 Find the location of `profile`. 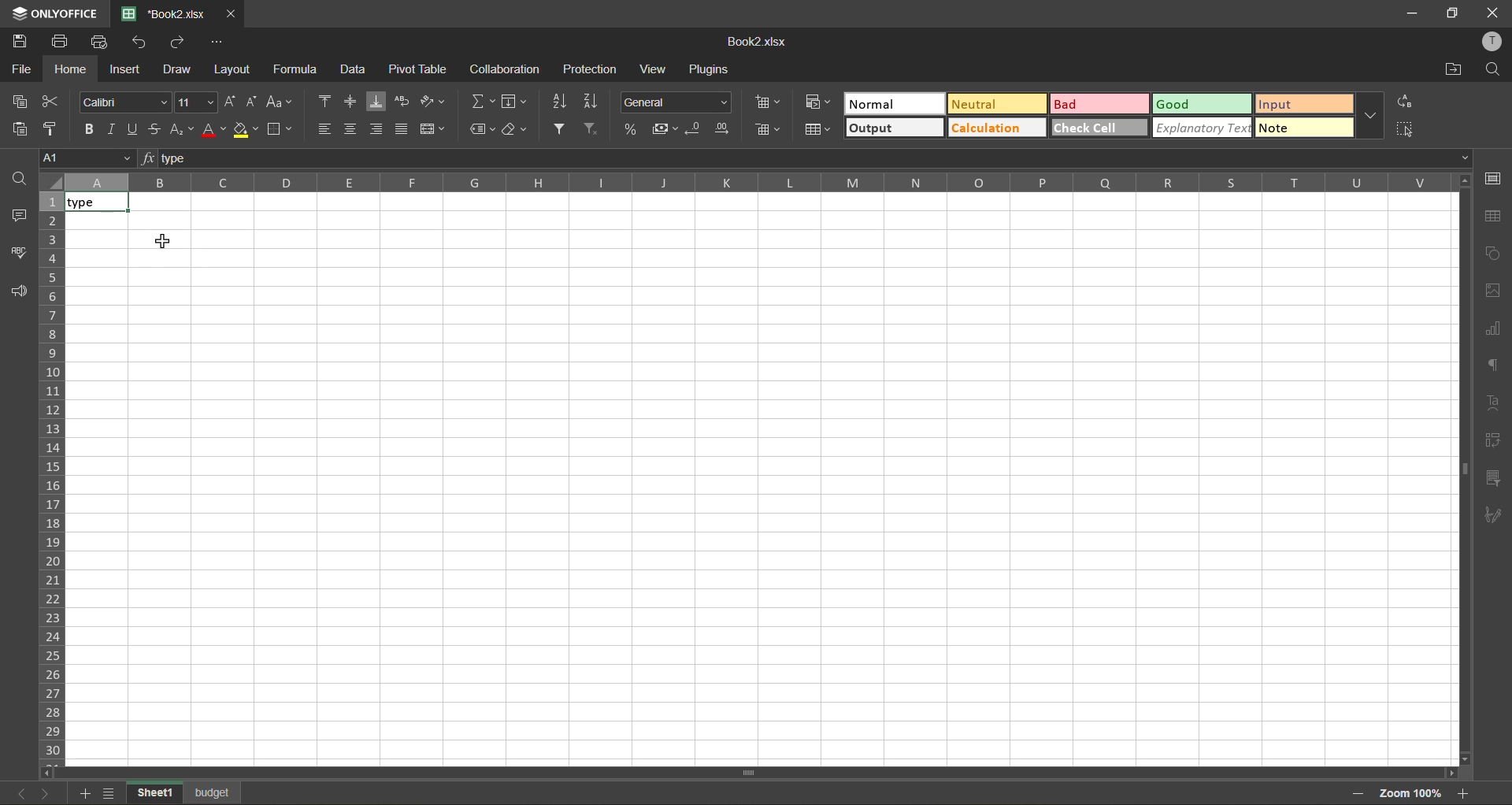

profile is located at coordinates (1495, 39).